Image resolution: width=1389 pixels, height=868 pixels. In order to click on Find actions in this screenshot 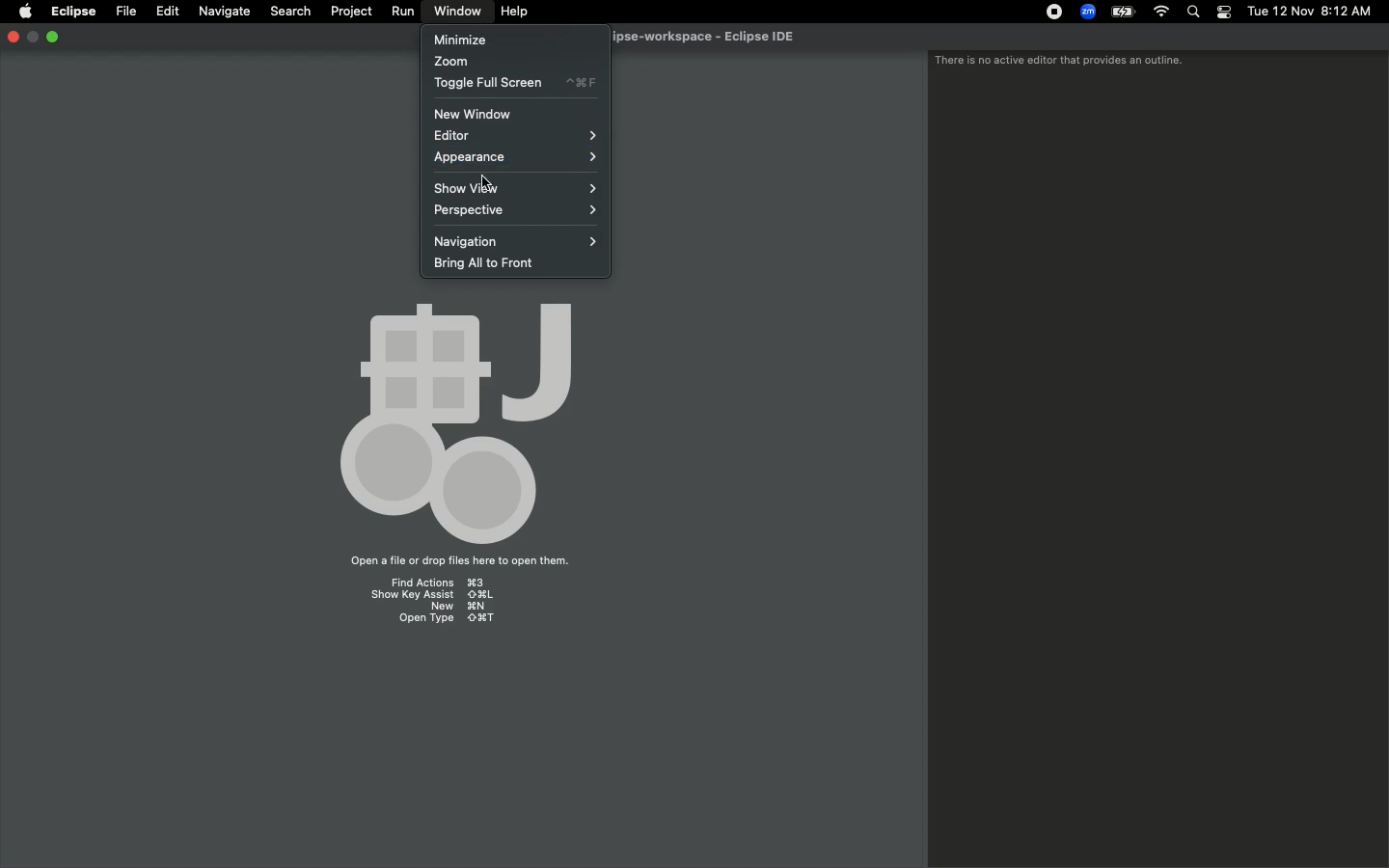, I will do `click(435, 581)`.